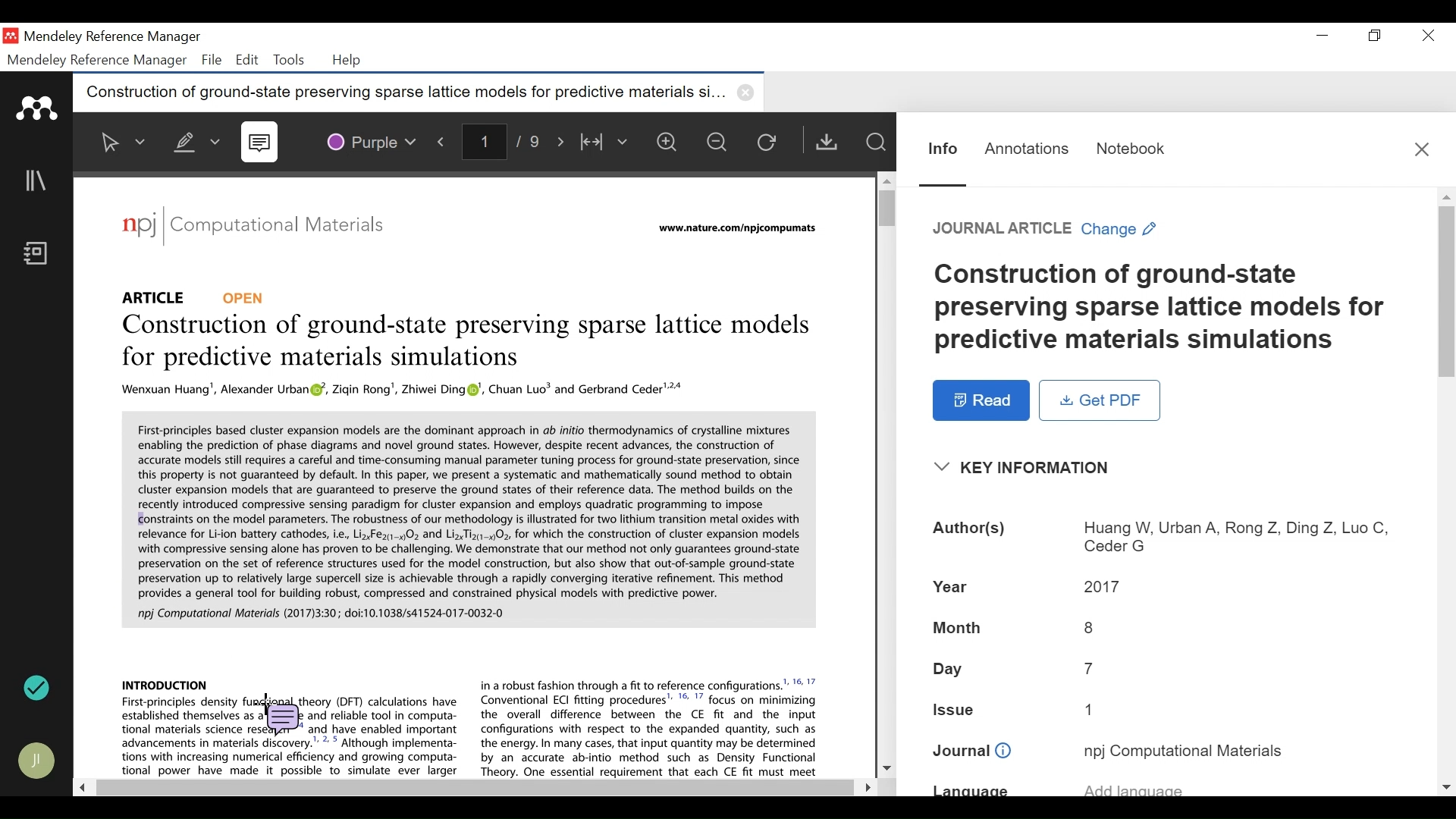  What do you see at coordinates (1047, 230) in the screenshot?
I see `Change Reference type` at bounding box center [1047, 230].